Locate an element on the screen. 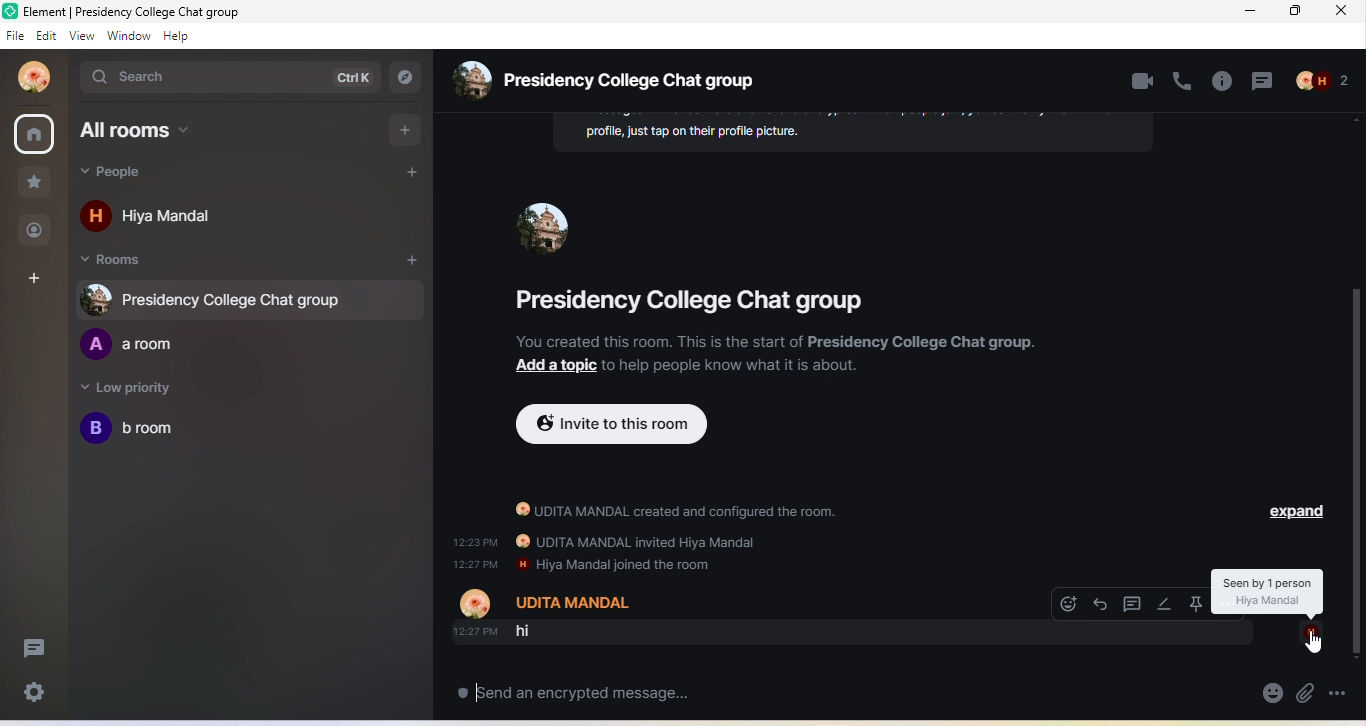  precidency college chat group is located at coordinates (700, 299).